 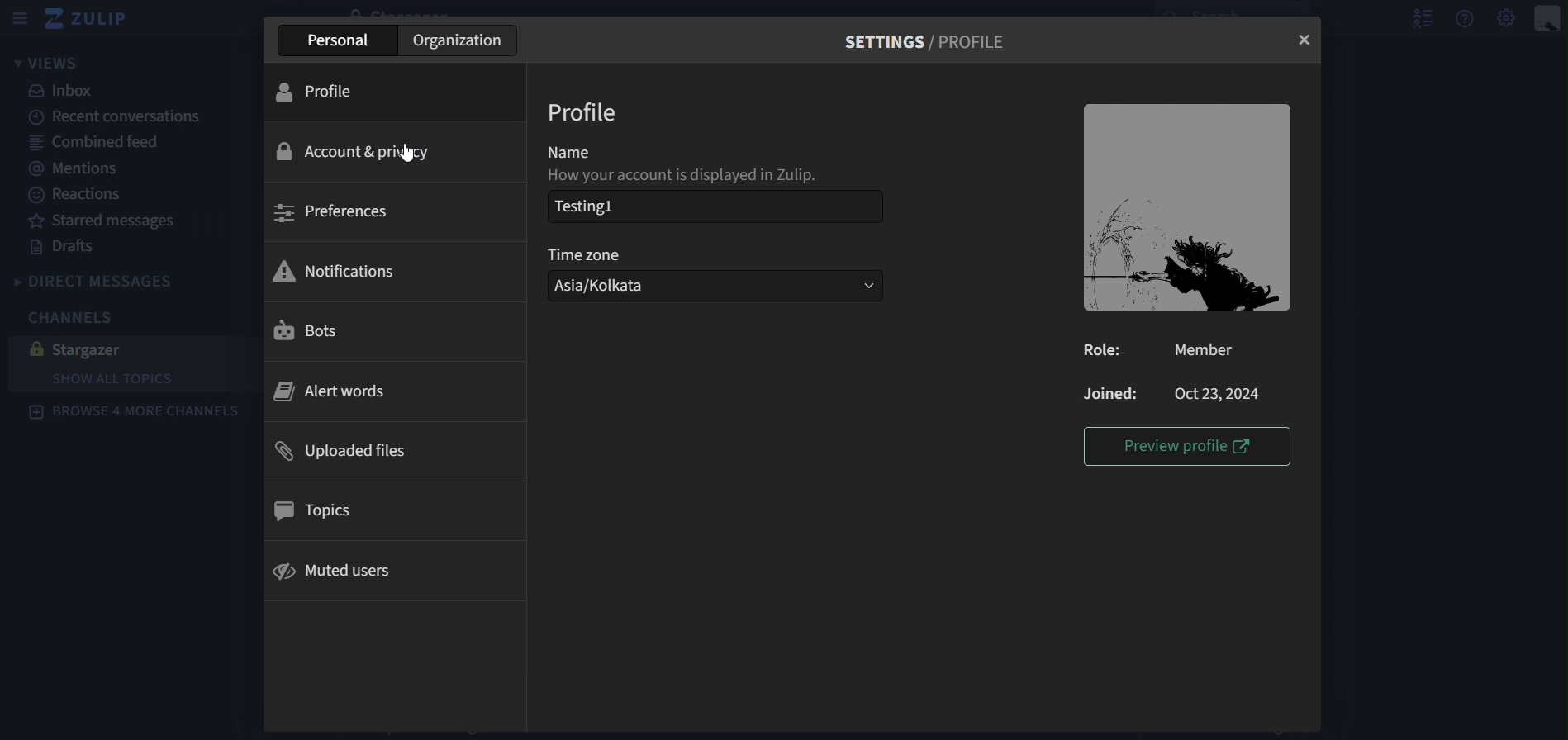 I want to click on personal menu, so click(x=1547, y=17).